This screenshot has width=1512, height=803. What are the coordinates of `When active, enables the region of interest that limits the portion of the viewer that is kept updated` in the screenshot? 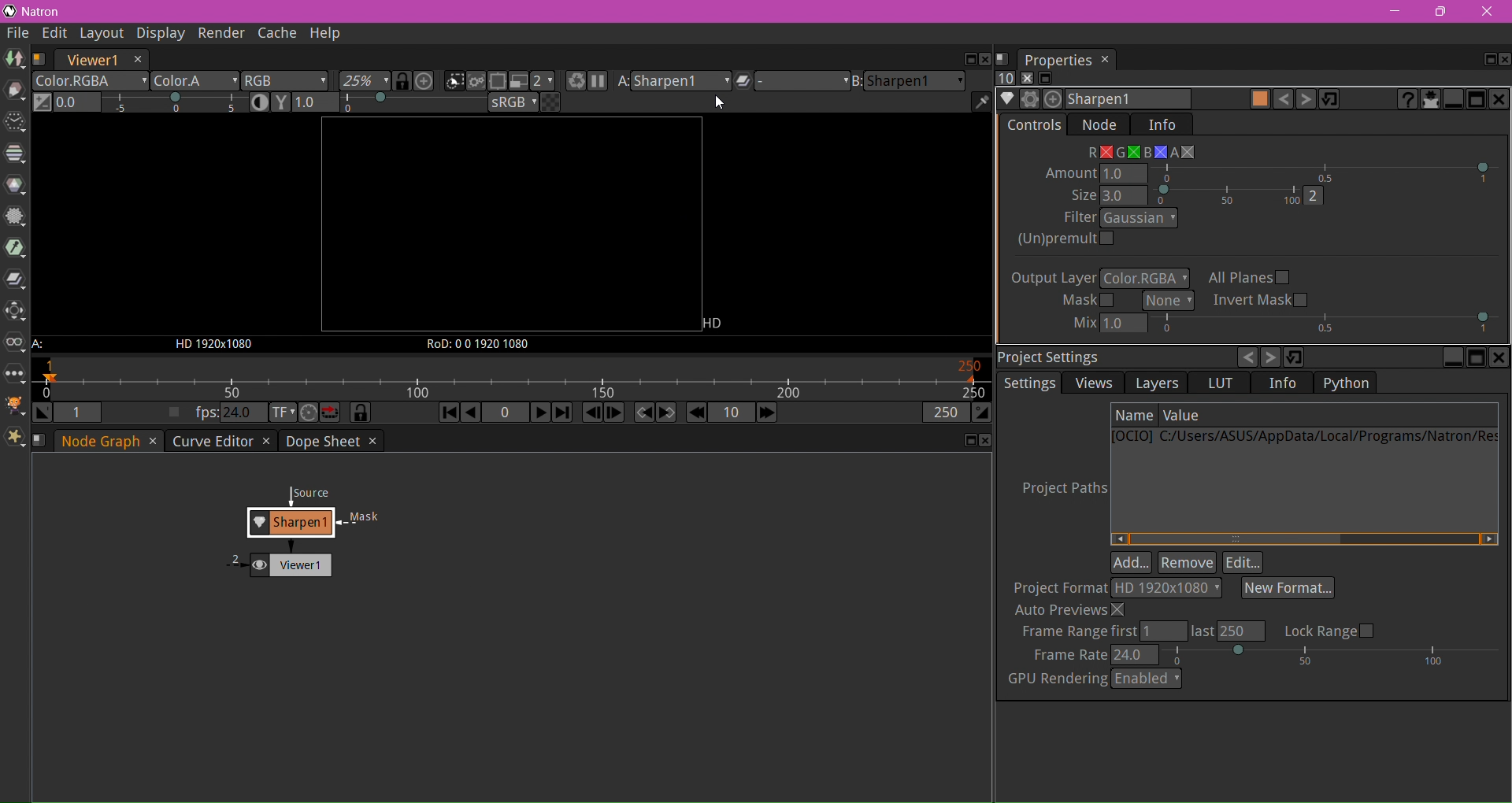 It's located at (498, 83).